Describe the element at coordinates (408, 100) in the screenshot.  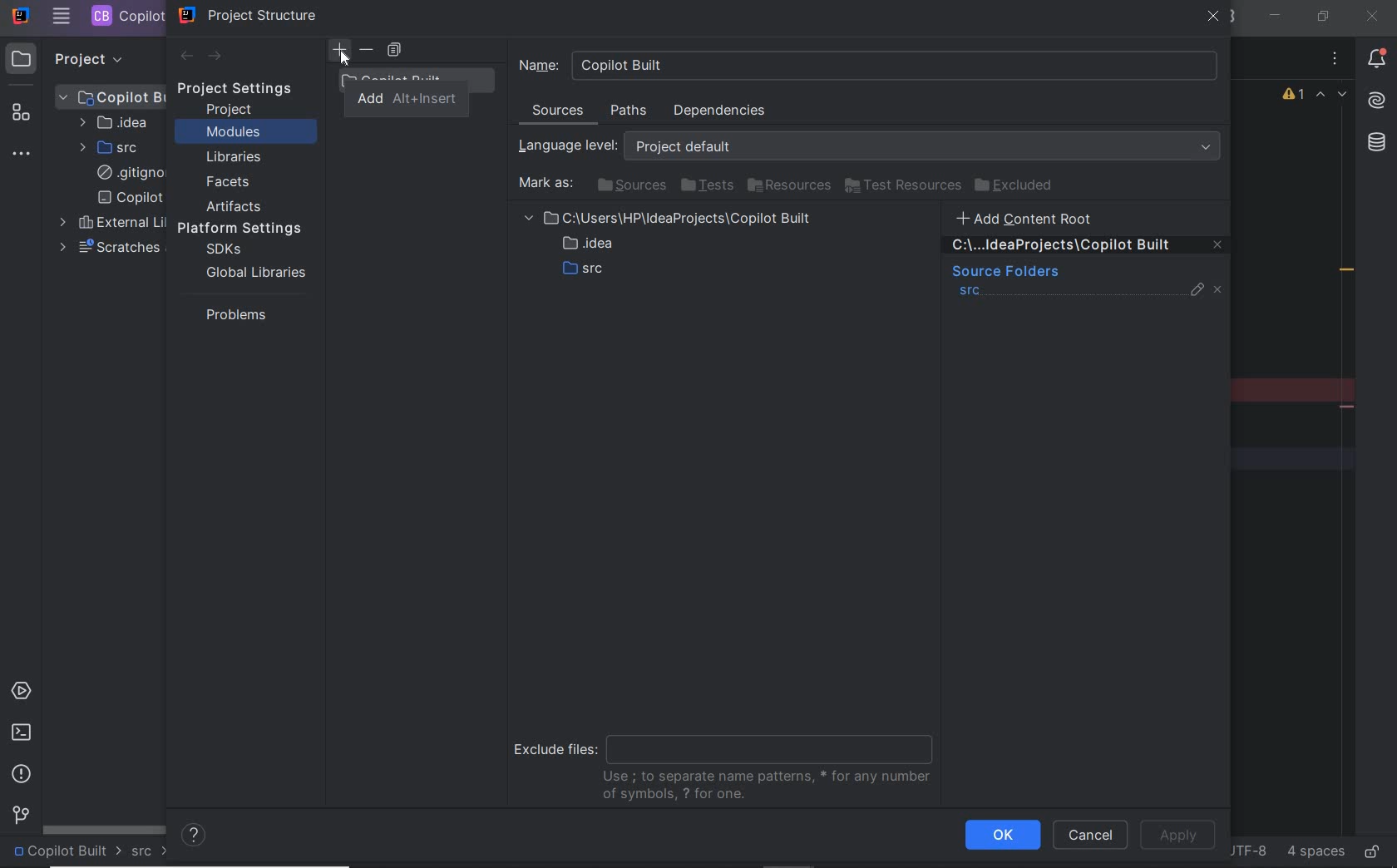
I see `add` at that location.